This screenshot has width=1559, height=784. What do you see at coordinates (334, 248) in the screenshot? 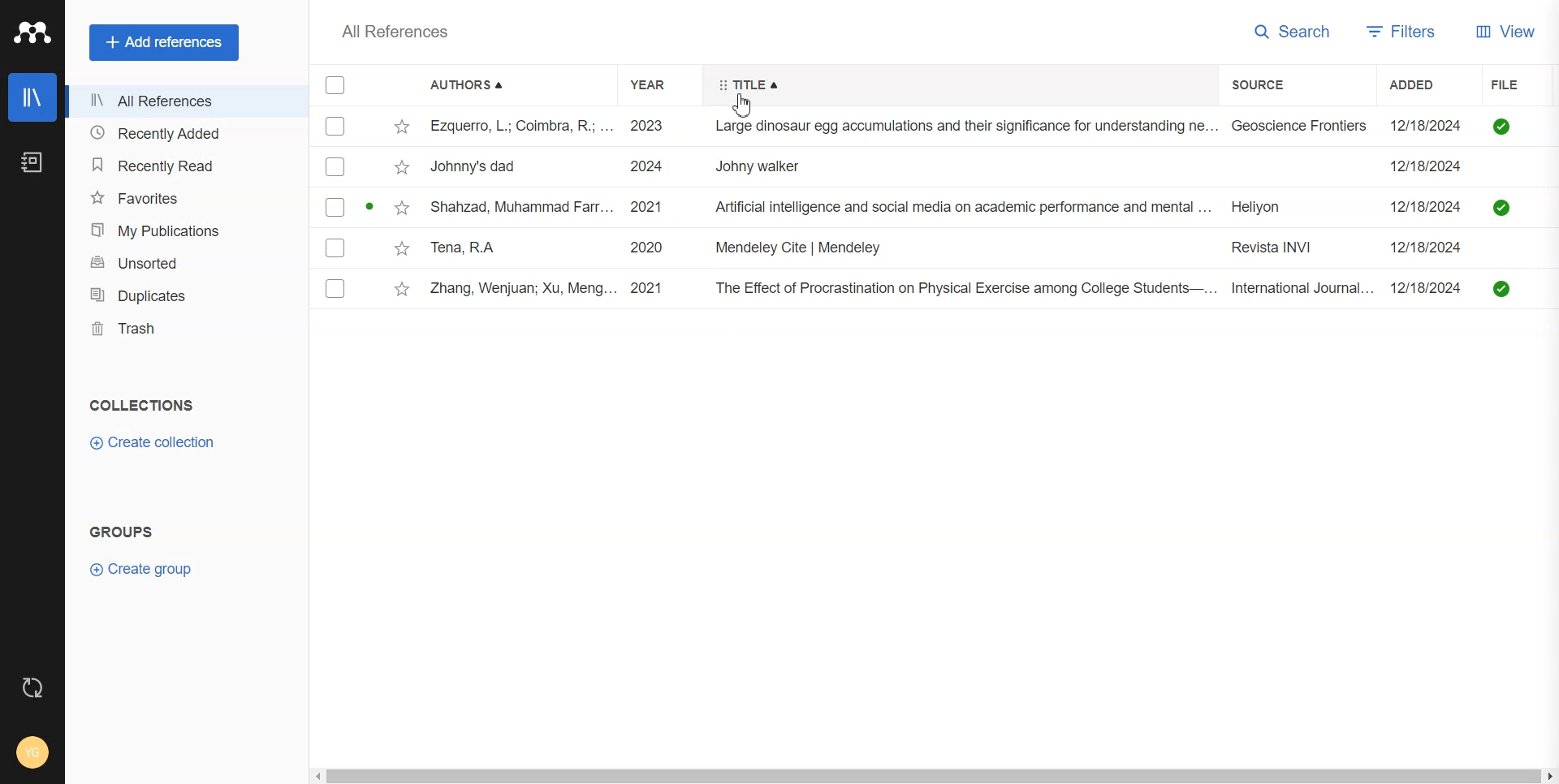
I see `select entry` at bounding box center [334, 248].